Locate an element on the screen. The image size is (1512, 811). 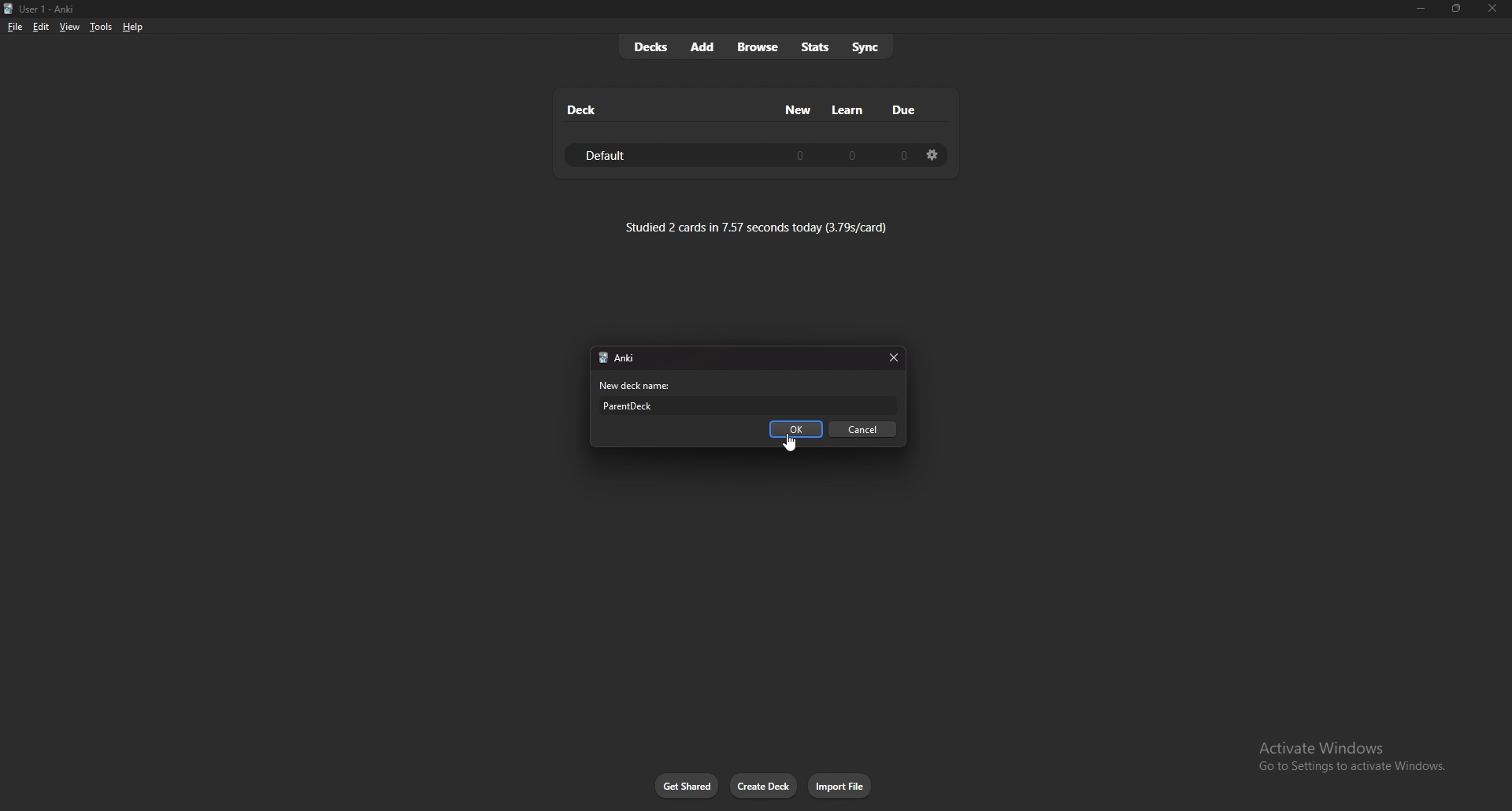
new is located at coordinates (799, 109).